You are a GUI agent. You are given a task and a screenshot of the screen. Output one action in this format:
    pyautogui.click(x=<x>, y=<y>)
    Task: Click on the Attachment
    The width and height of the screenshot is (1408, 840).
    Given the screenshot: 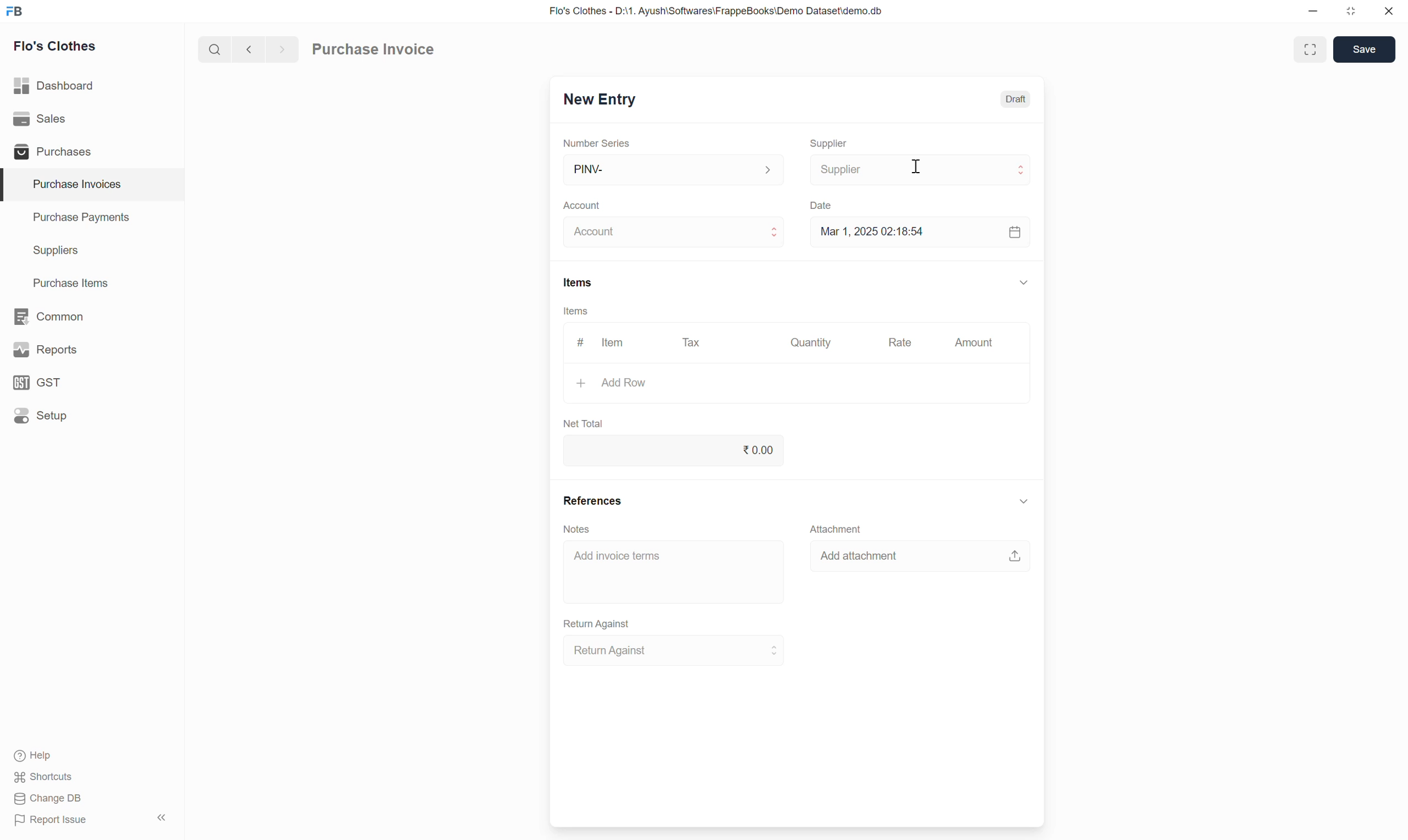 What is the action you would take?
    pyautogui.click(x=836, y=529)
    